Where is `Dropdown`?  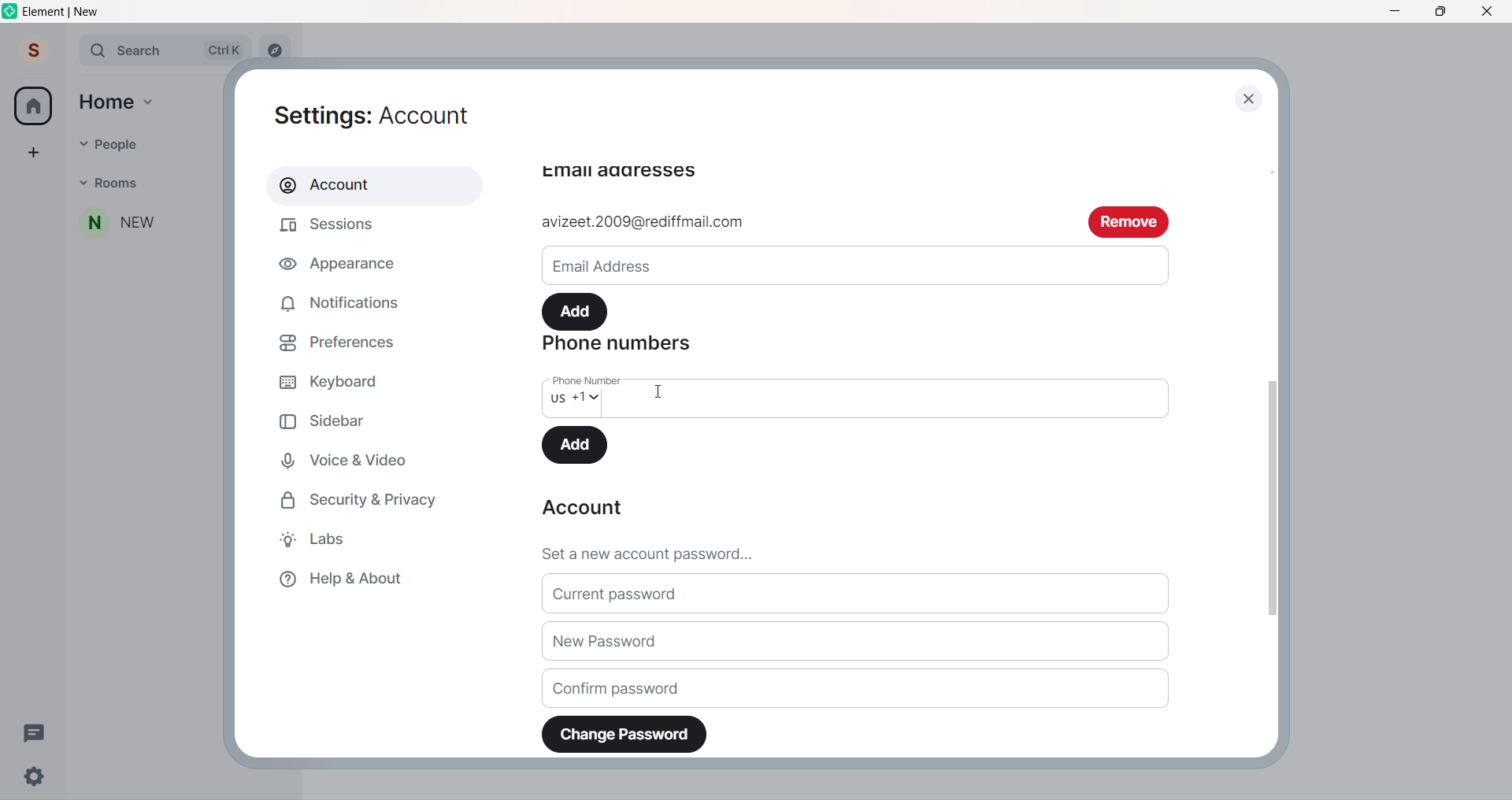
Dropdown is located at coordinates (82, 181).